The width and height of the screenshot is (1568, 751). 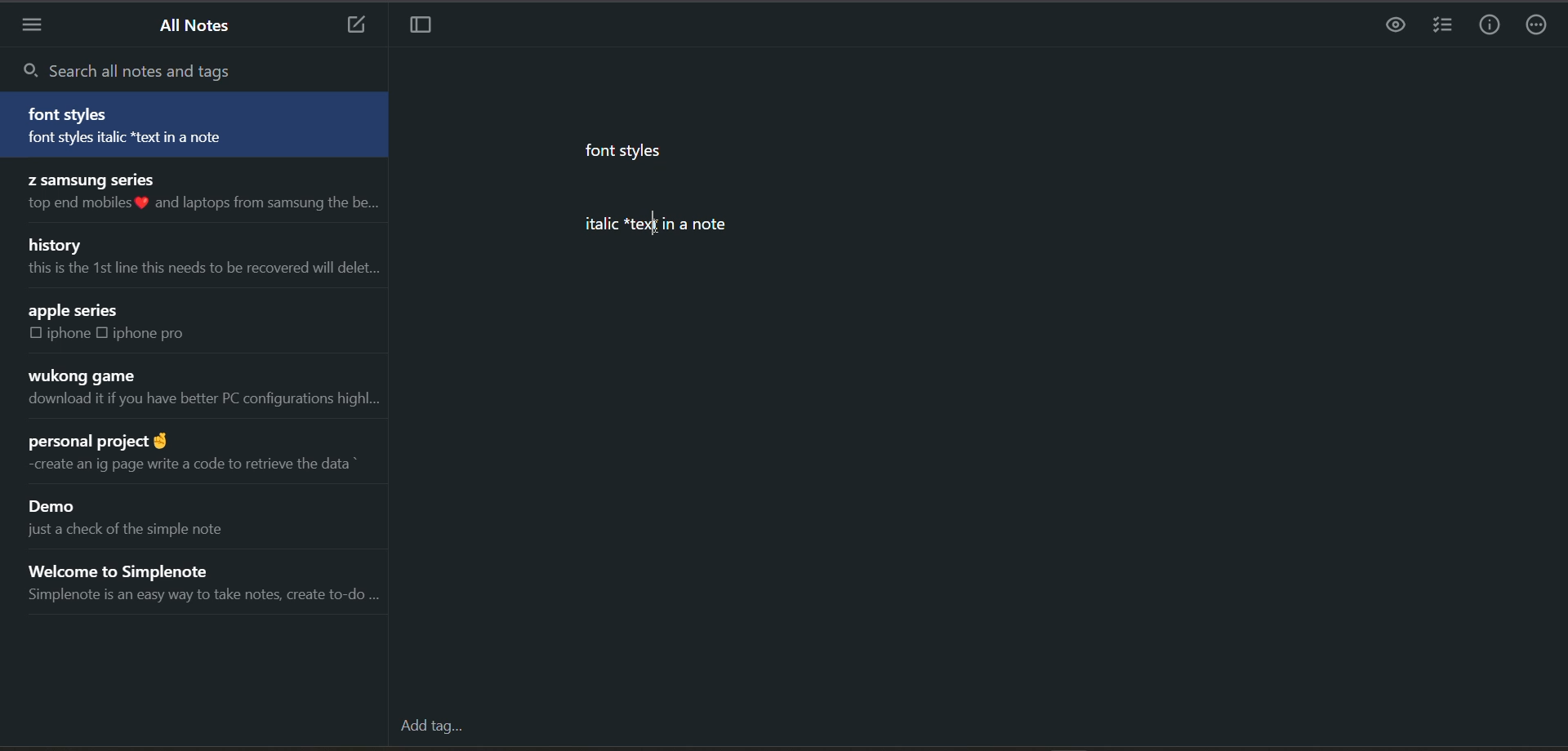 I want to click on data from current note, so click(x=659, y=205).